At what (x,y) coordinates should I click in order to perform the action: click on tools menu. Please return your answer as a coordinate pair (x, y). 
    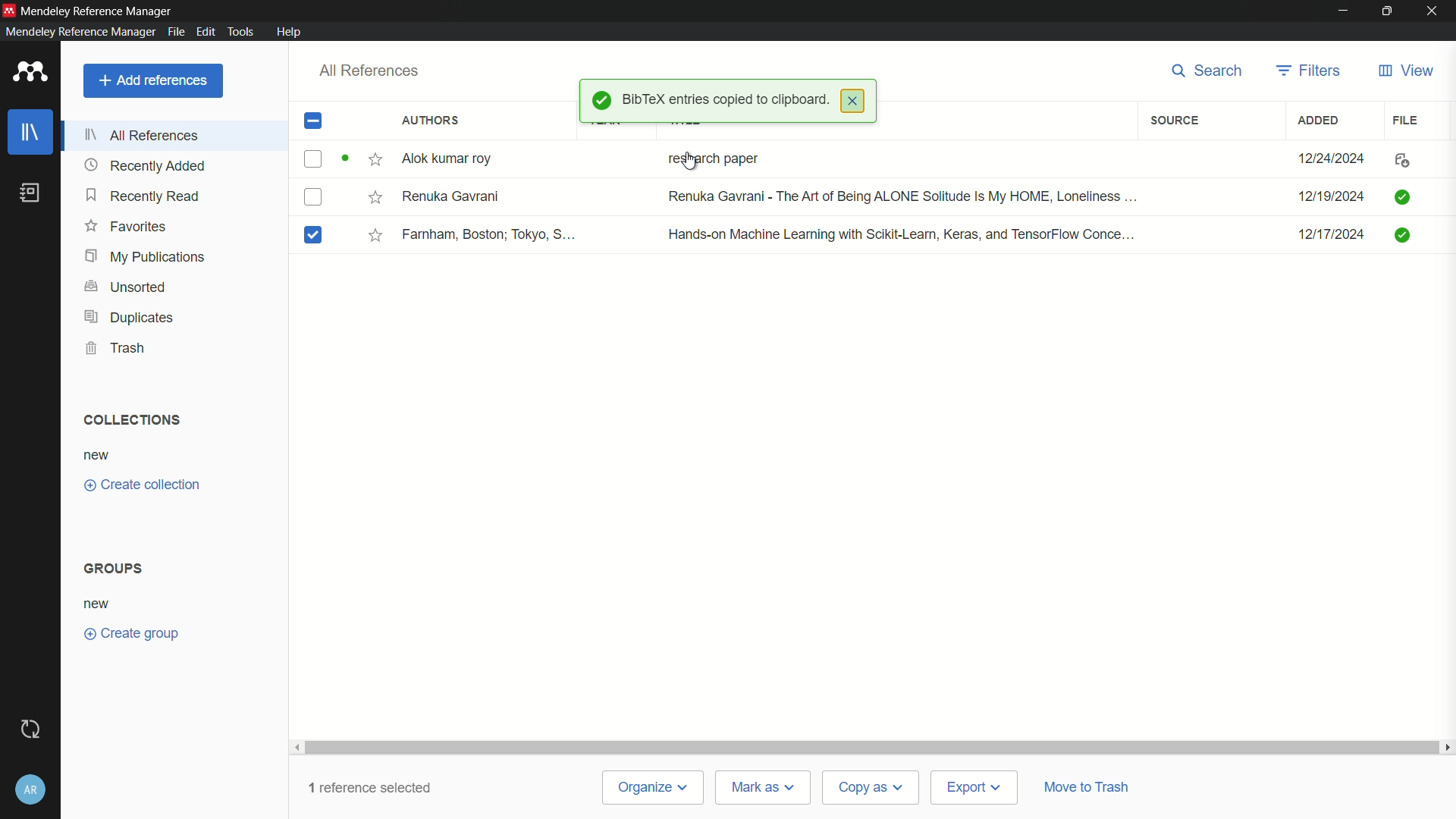
    Looking at the image, I should click on (244, 31).